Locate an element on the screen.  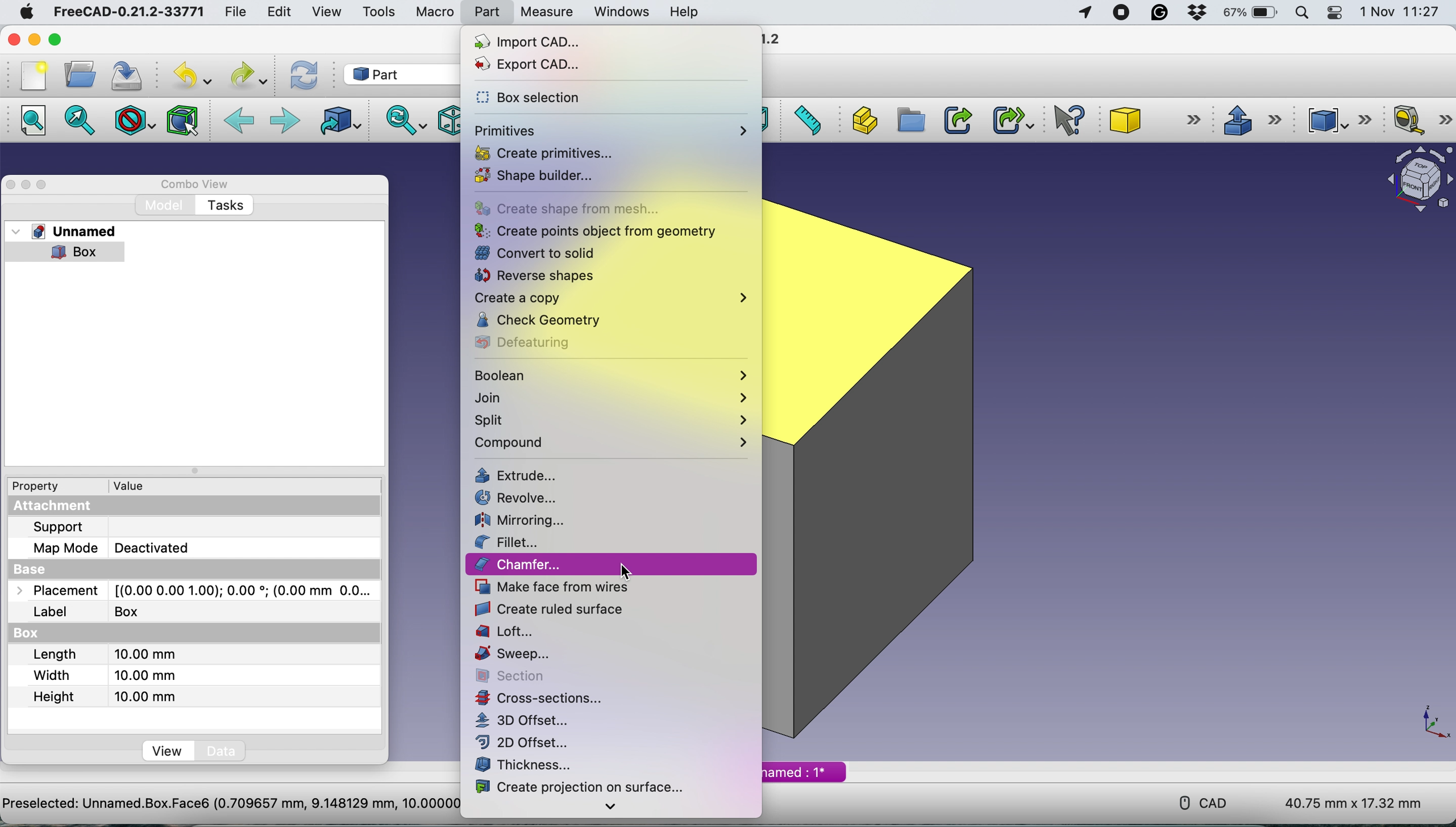
create projection on surface is located at coordinates (576, 788).